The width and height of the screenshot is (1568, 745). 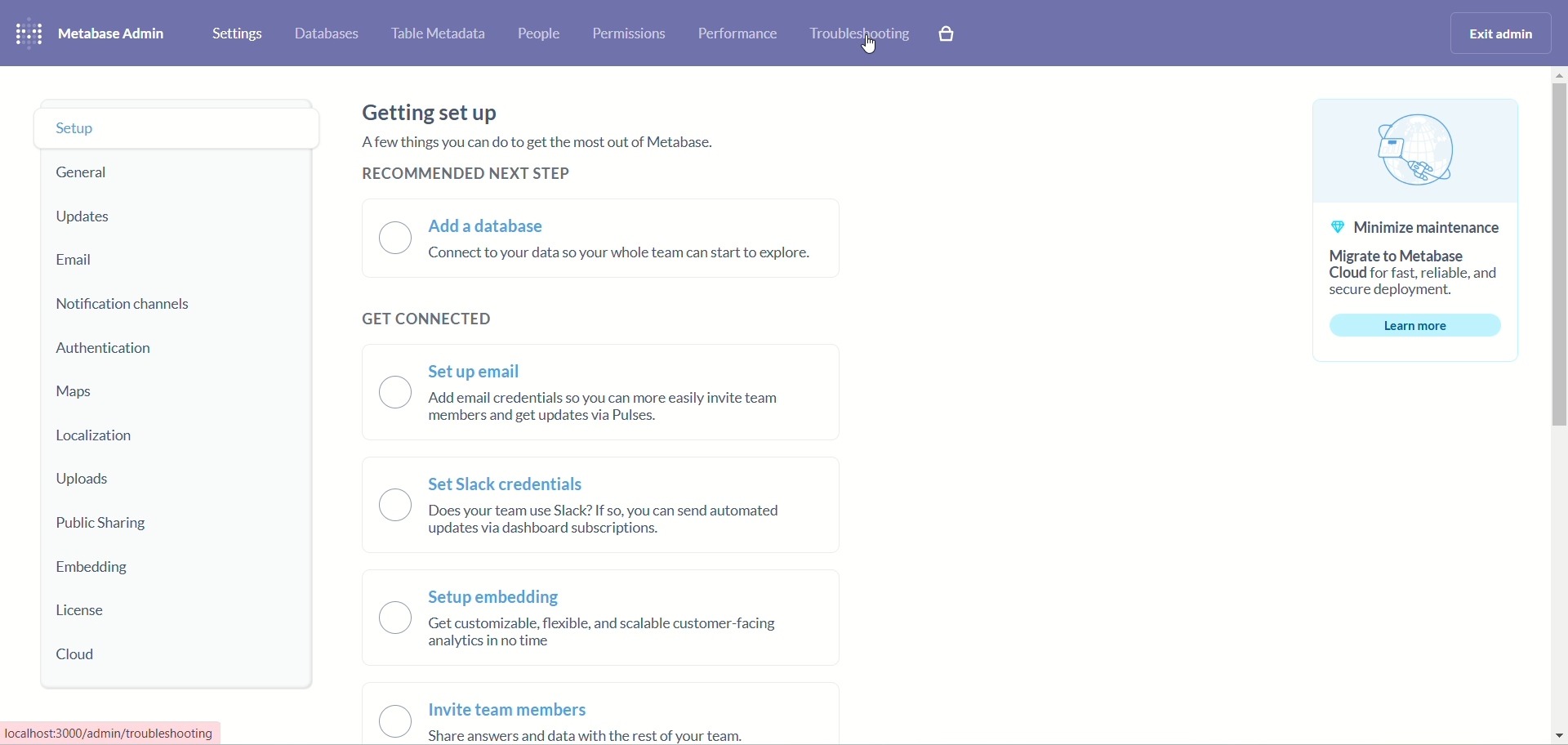 What do you see at coordinates (1415, 230) in the screenshot?
I see `text` at bounding box center [1415, 230].